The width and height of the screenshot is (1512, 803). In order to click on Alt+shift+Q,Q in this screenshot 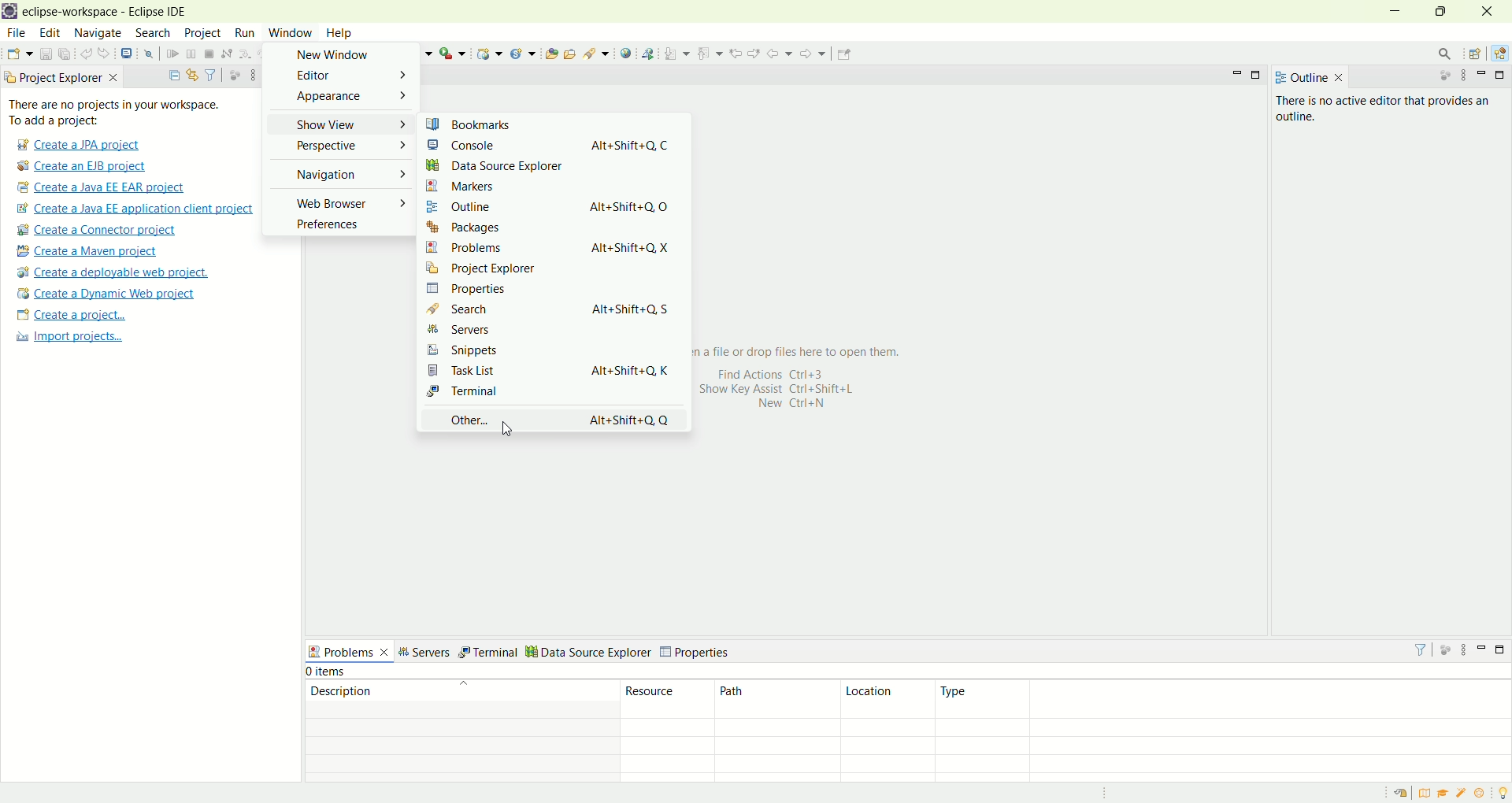, I will do `click(629, 424)`.